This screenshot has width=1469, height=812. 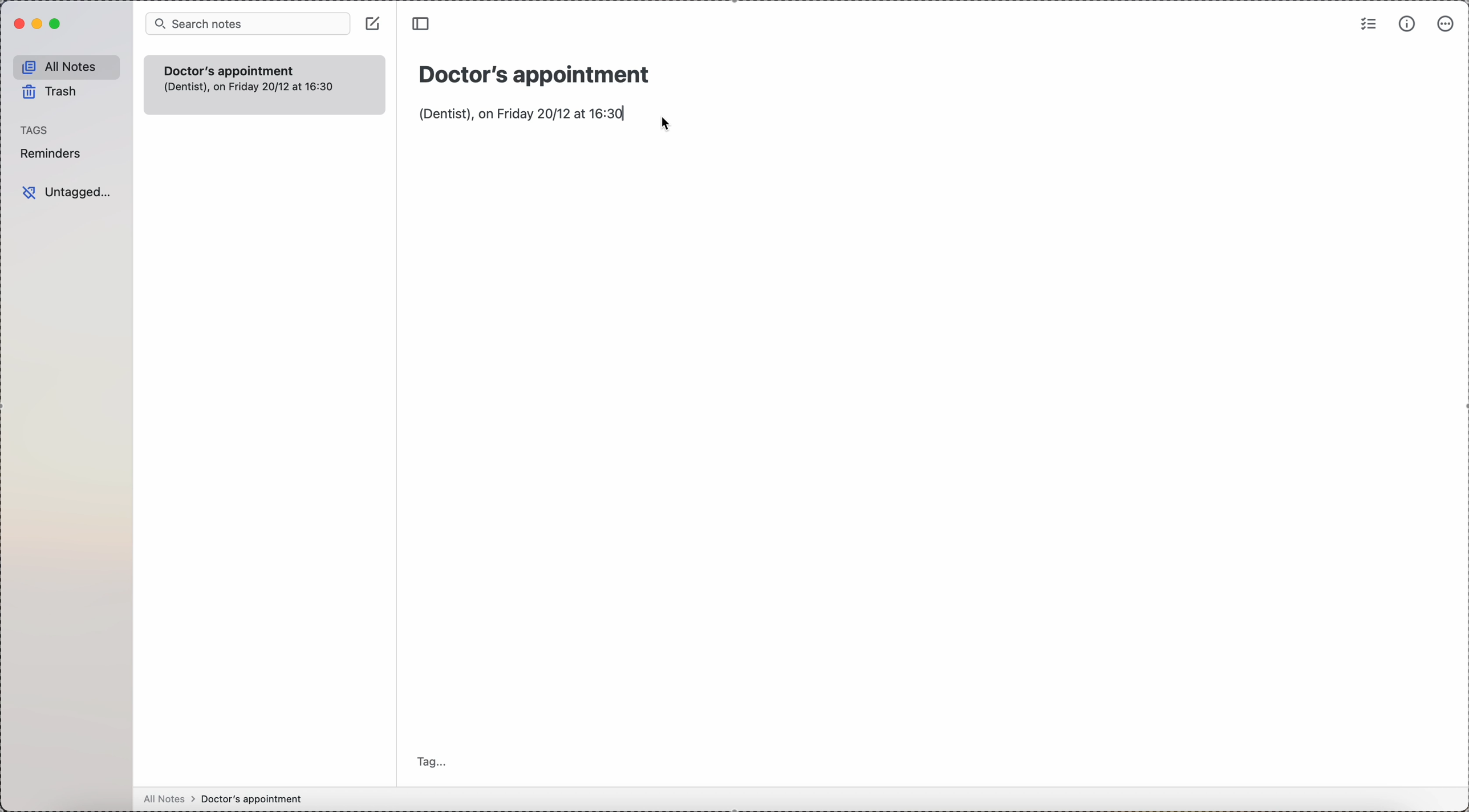 I want to click on body text: dentist on friday 20/12 at 16:30, so click(x=521, y=113).